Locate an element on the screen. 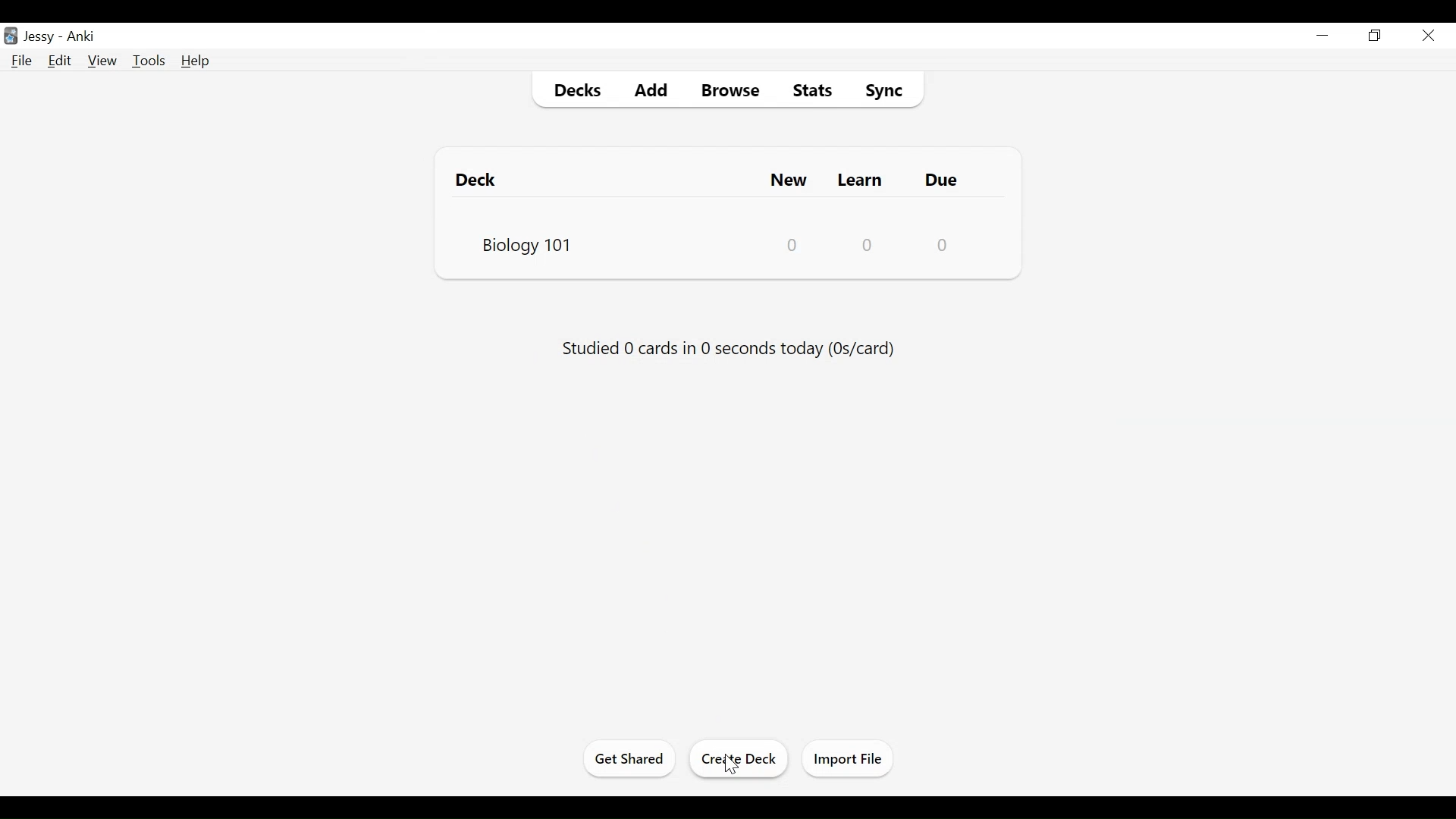 This screenshot has height=819, width=1456. Help is located at coordinates (196, 61).